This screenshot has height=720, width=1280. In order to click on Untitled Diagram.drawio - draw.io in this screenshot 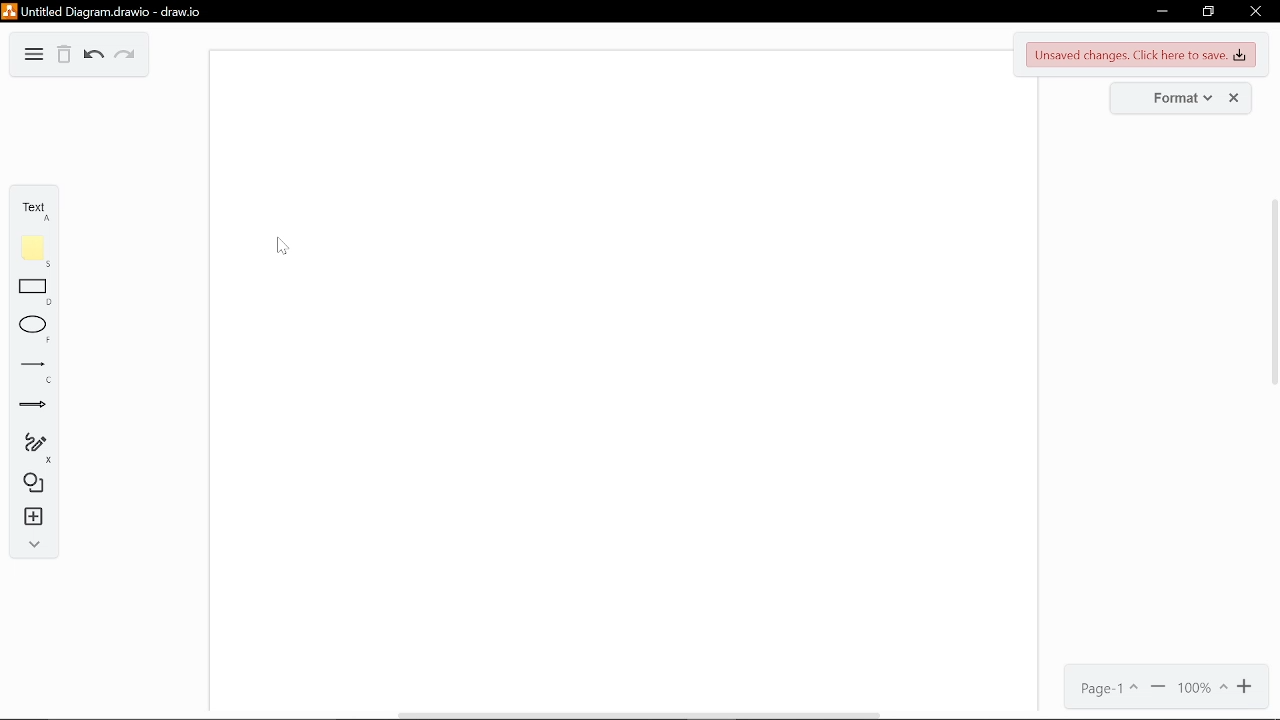, I will do `click(106, 10)`.